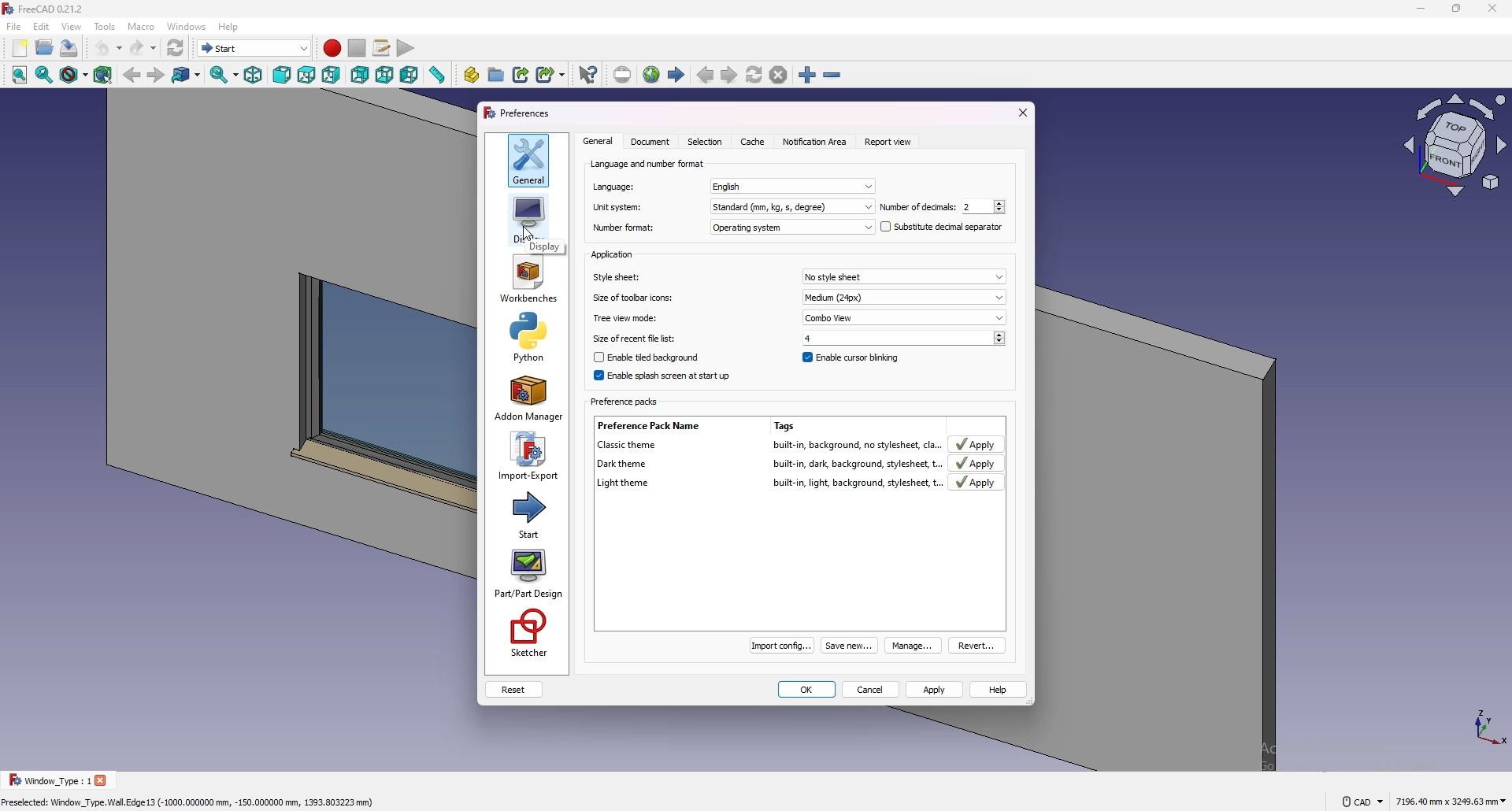 The image size is (1512, 811). I want to click on right, so click(332, 75).